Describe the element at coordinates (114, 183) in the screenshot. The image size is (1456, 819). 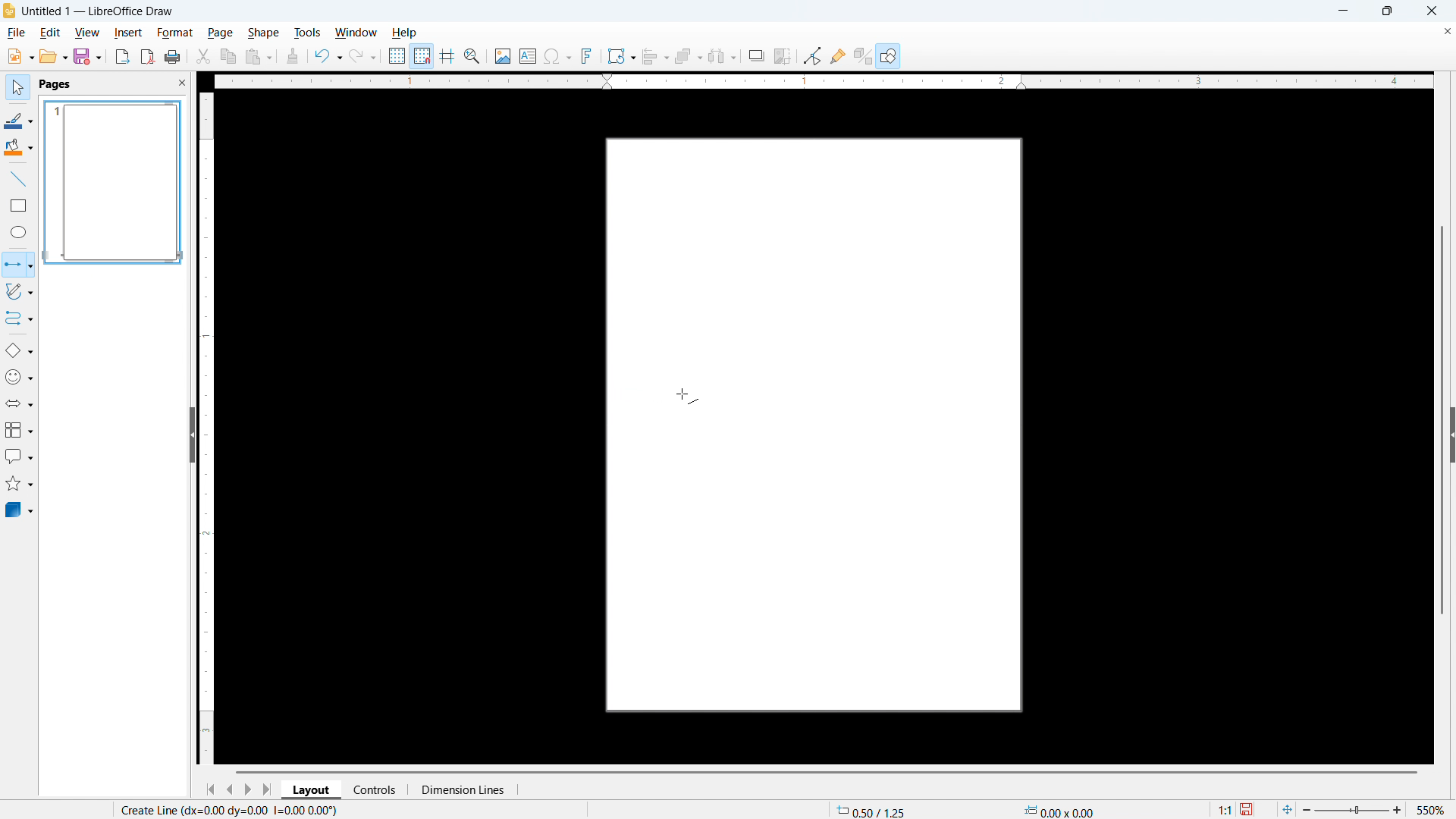
I see `Page display ` at that location.